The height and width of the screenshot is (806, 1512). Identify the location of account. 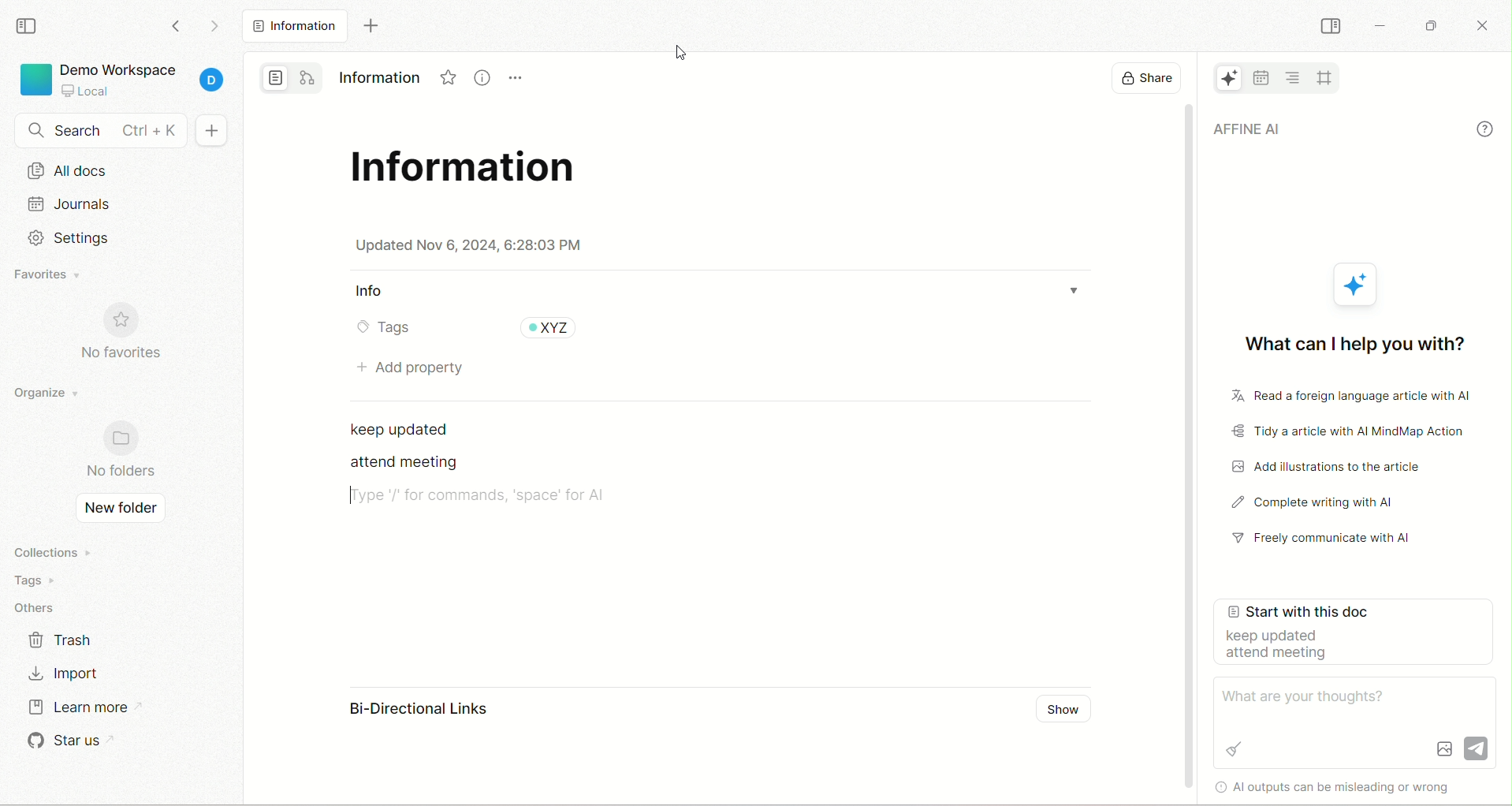
(215, 82).